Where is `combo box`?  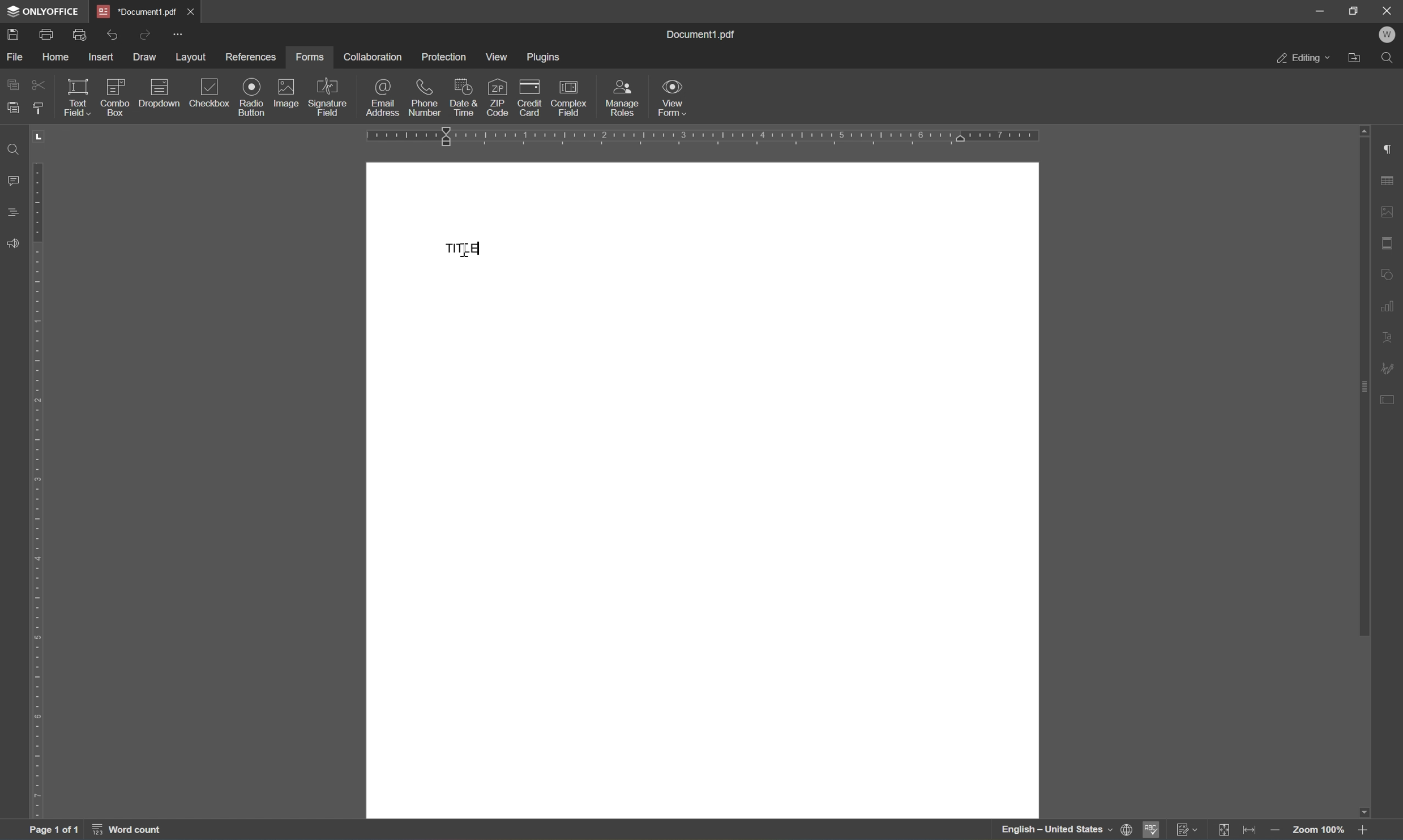
combo box is located at coordinates (117, 96).